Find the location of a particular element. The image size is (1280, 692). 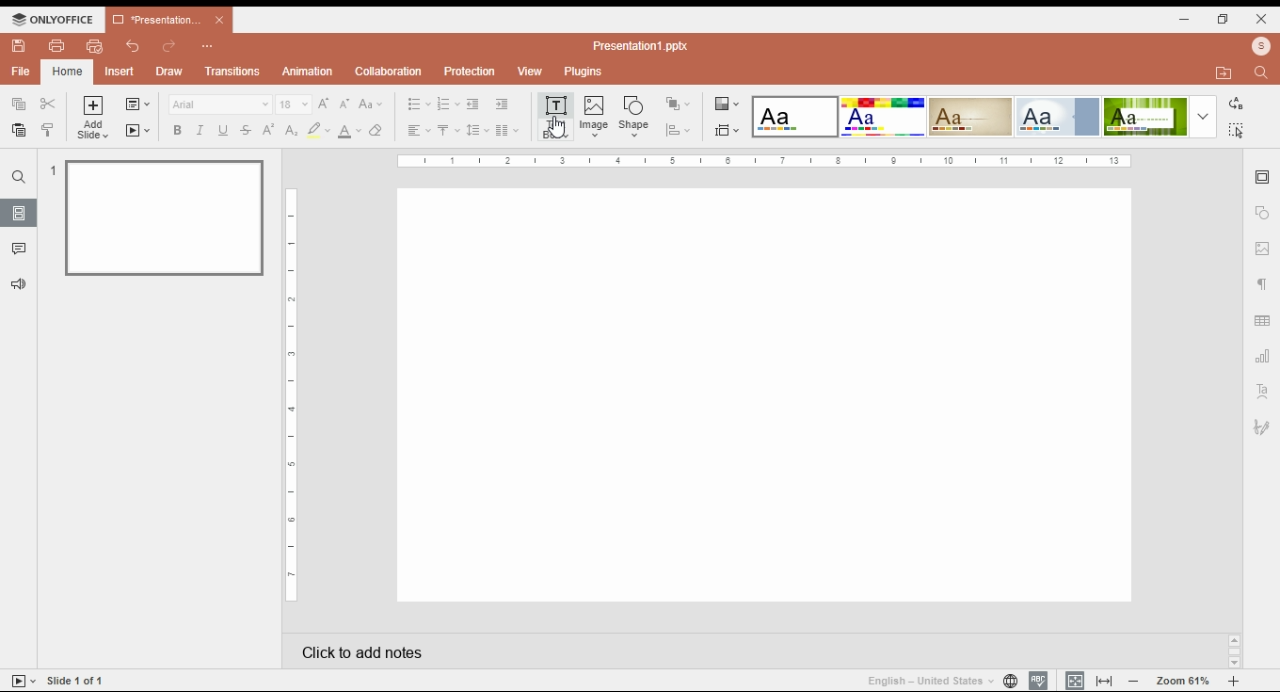

feedback and support is located at coordinates (17, 283).